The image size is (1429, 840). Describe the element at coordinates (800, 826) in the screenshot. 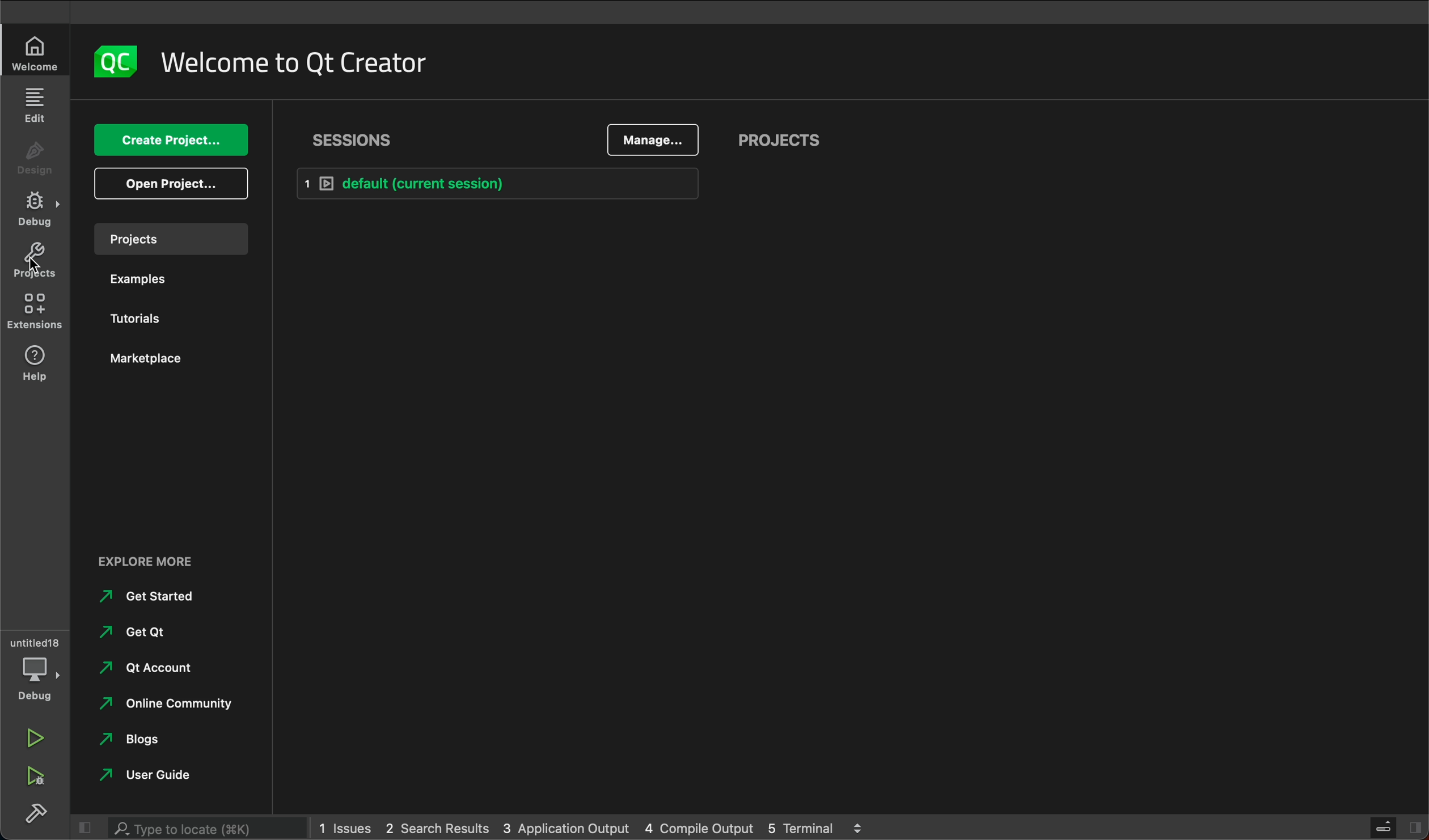

I see `5 Terminal` at that location.